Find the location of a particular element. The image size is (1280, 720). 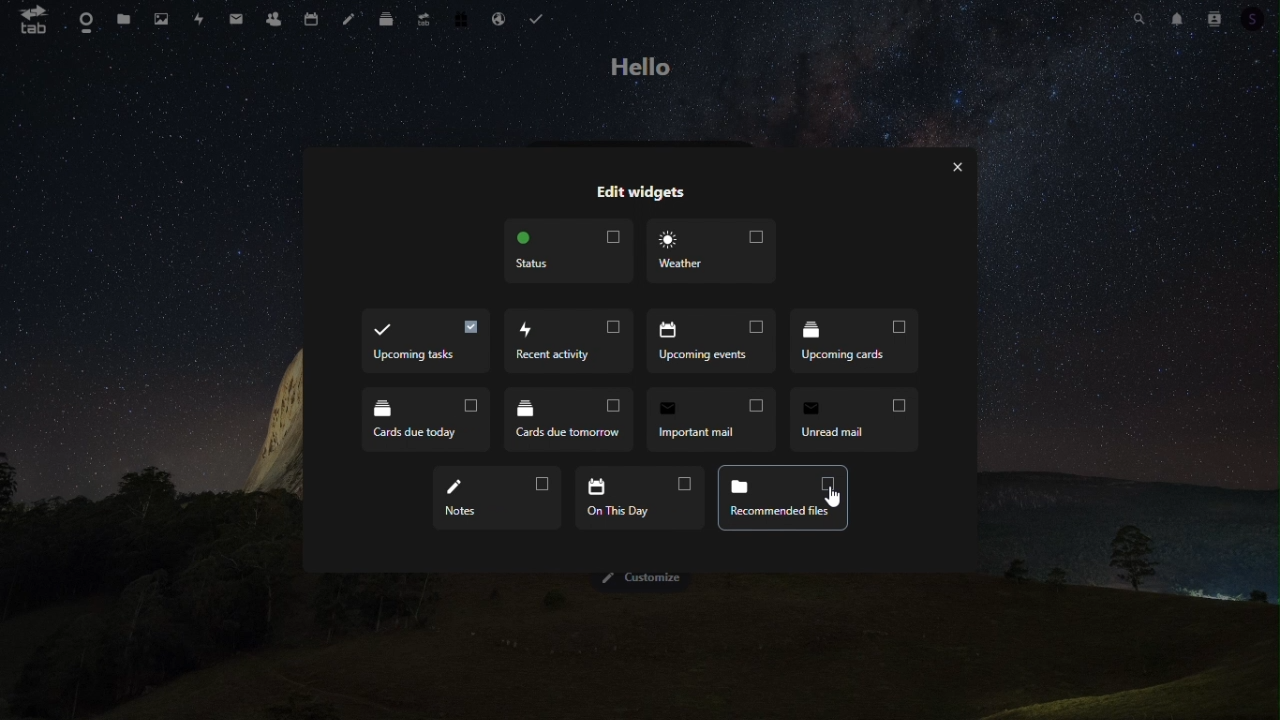

status is located at coordinates (571, 253).